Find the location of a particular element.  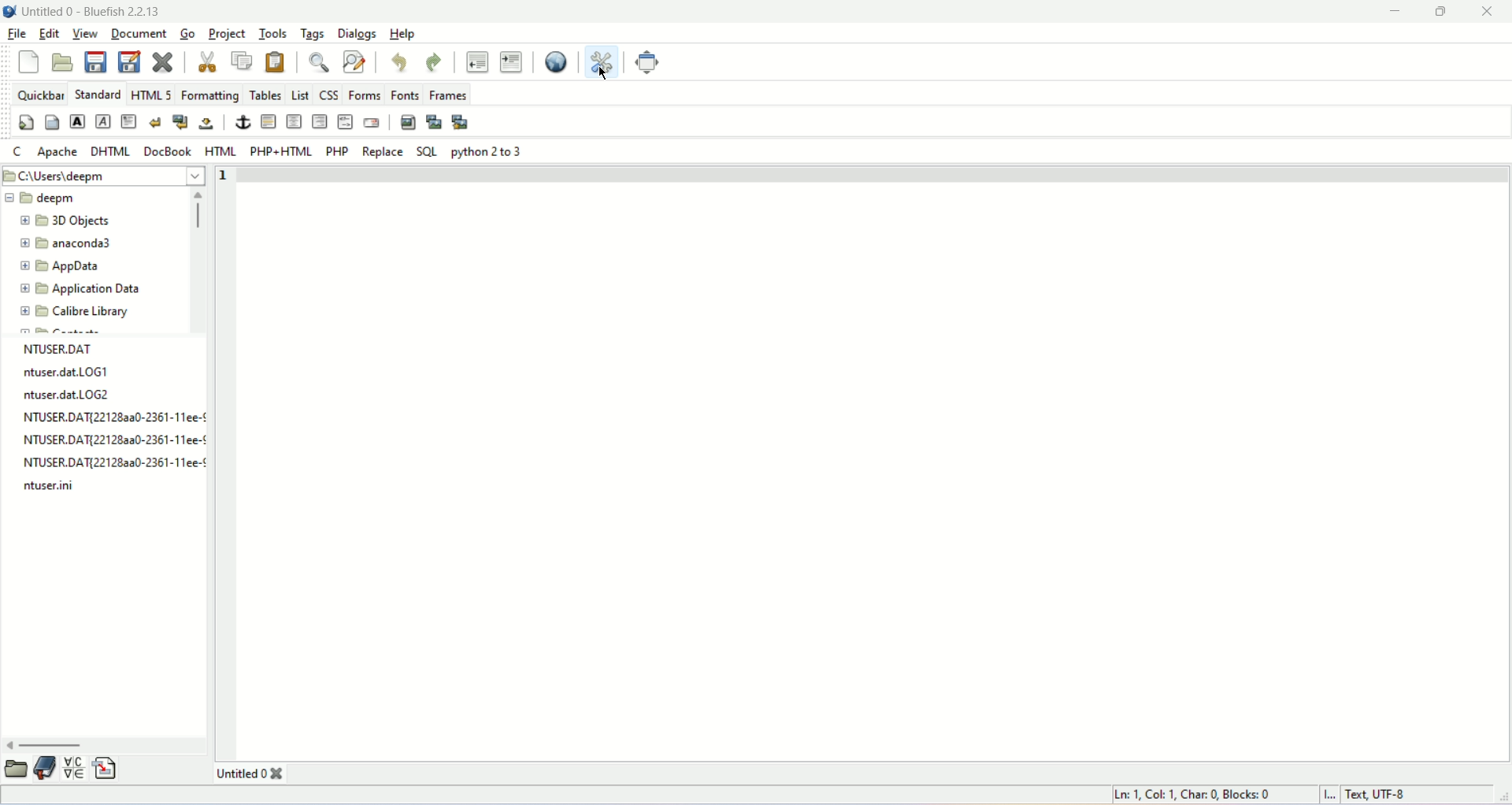

go is located at coordinates (186, 34).